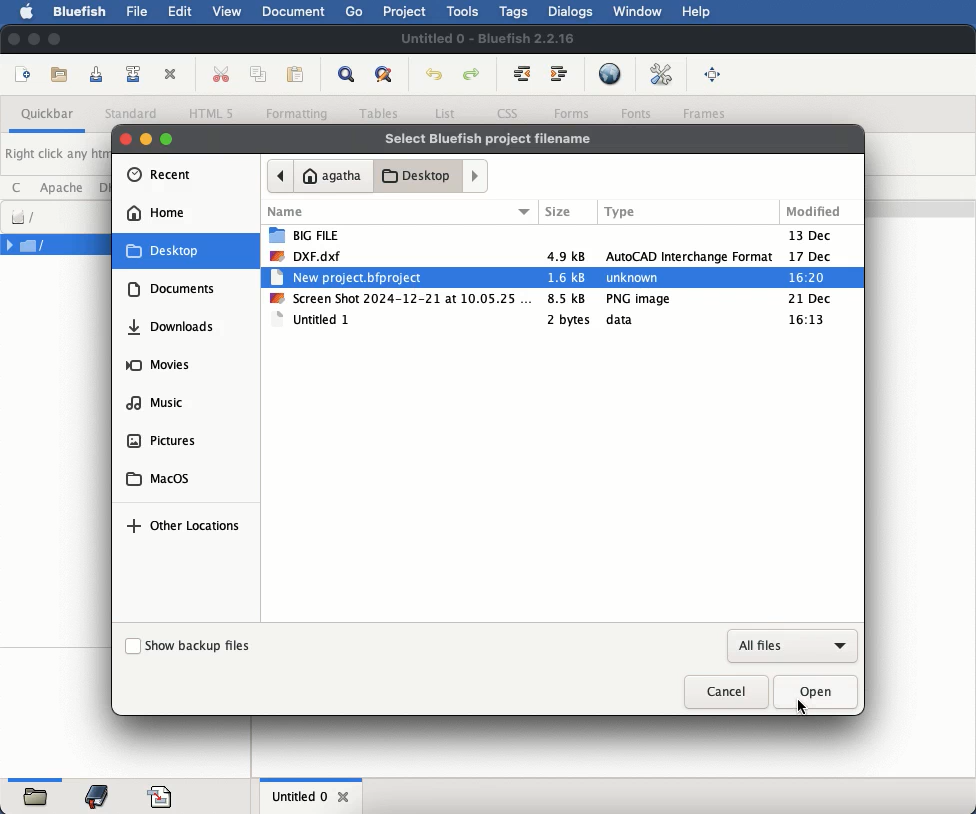 The height and width of the screenshot is (814, 976). Describe the element at coordinates (35, 797) in the screenshot. I see `folder` at that location.